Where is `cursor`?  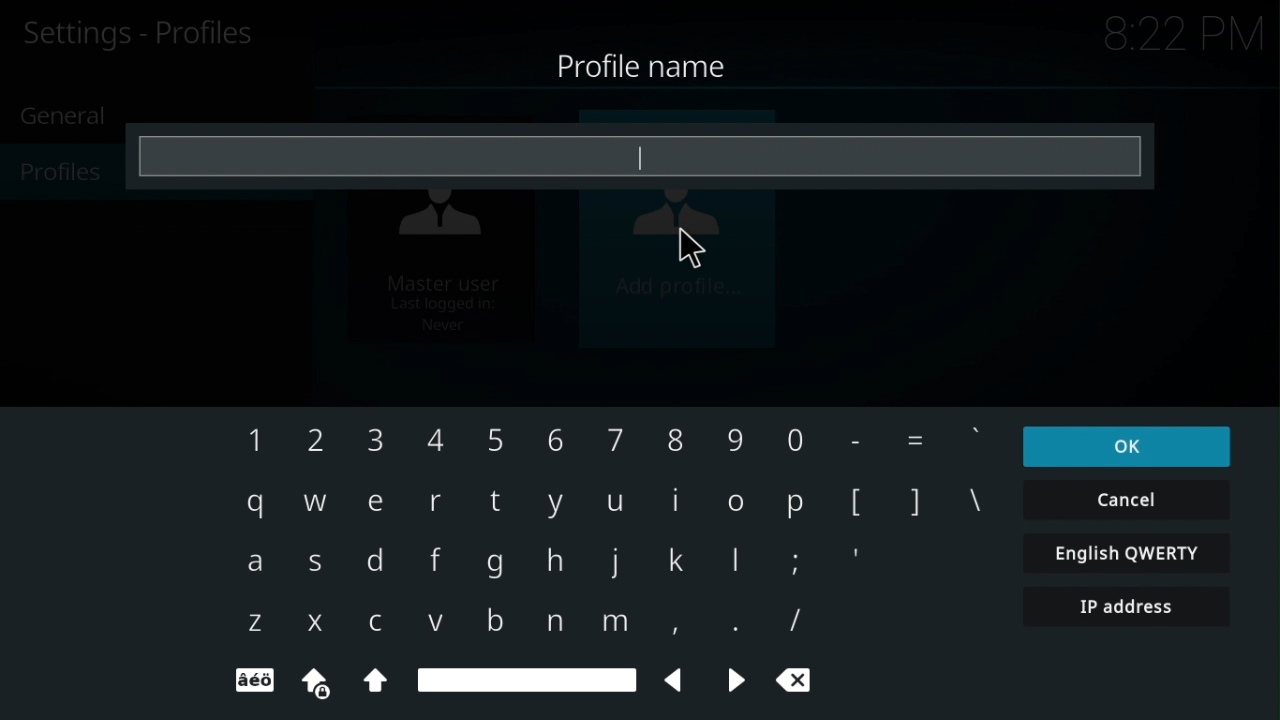
cursor is located at coordinates (691, 250).